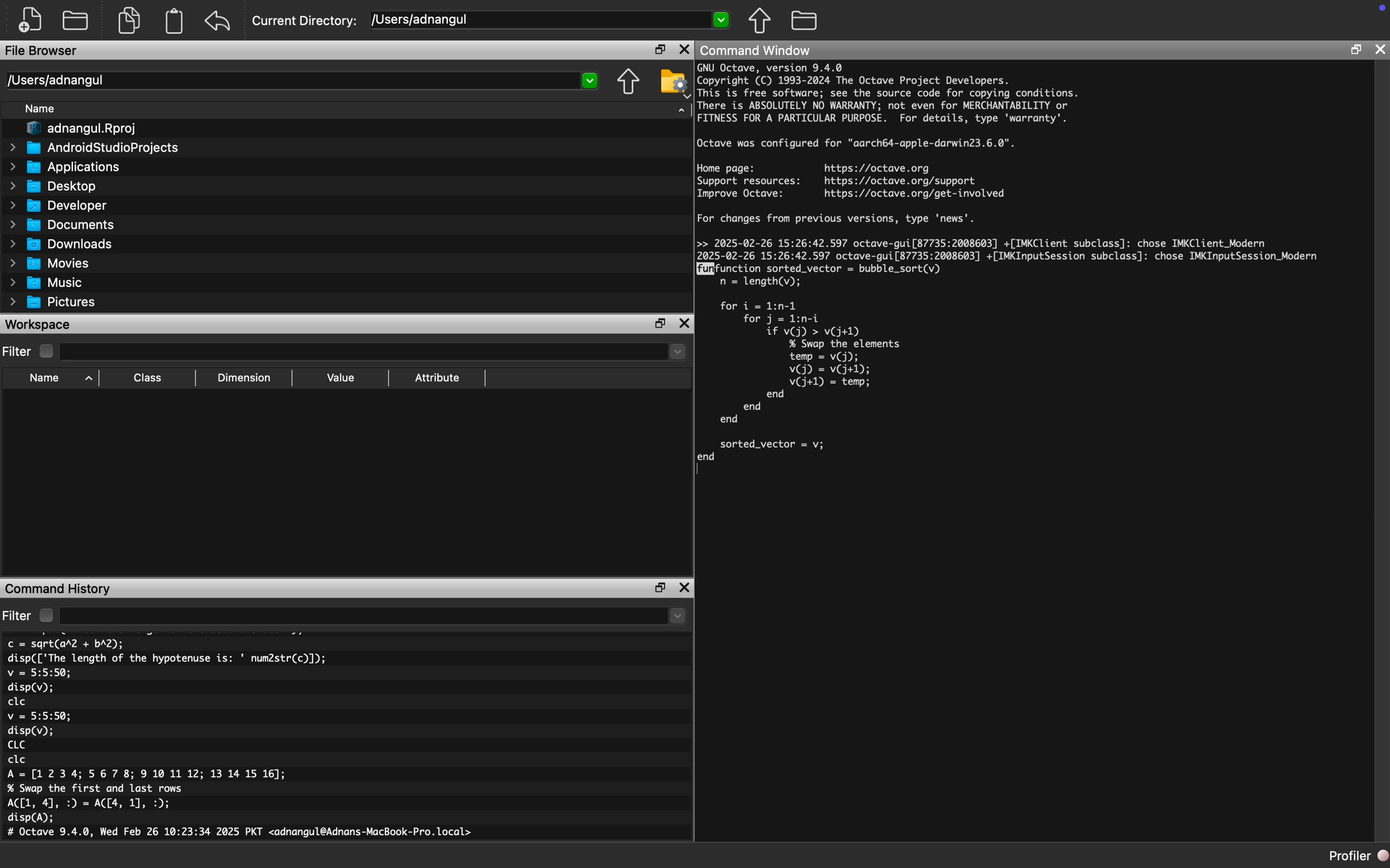 Image resolution: width=1390 pixels, height=868 pixels. What do you see at coordinates (173, 21) in the screenshot?
I see `Clipboard` at bounding box center [173, 21].